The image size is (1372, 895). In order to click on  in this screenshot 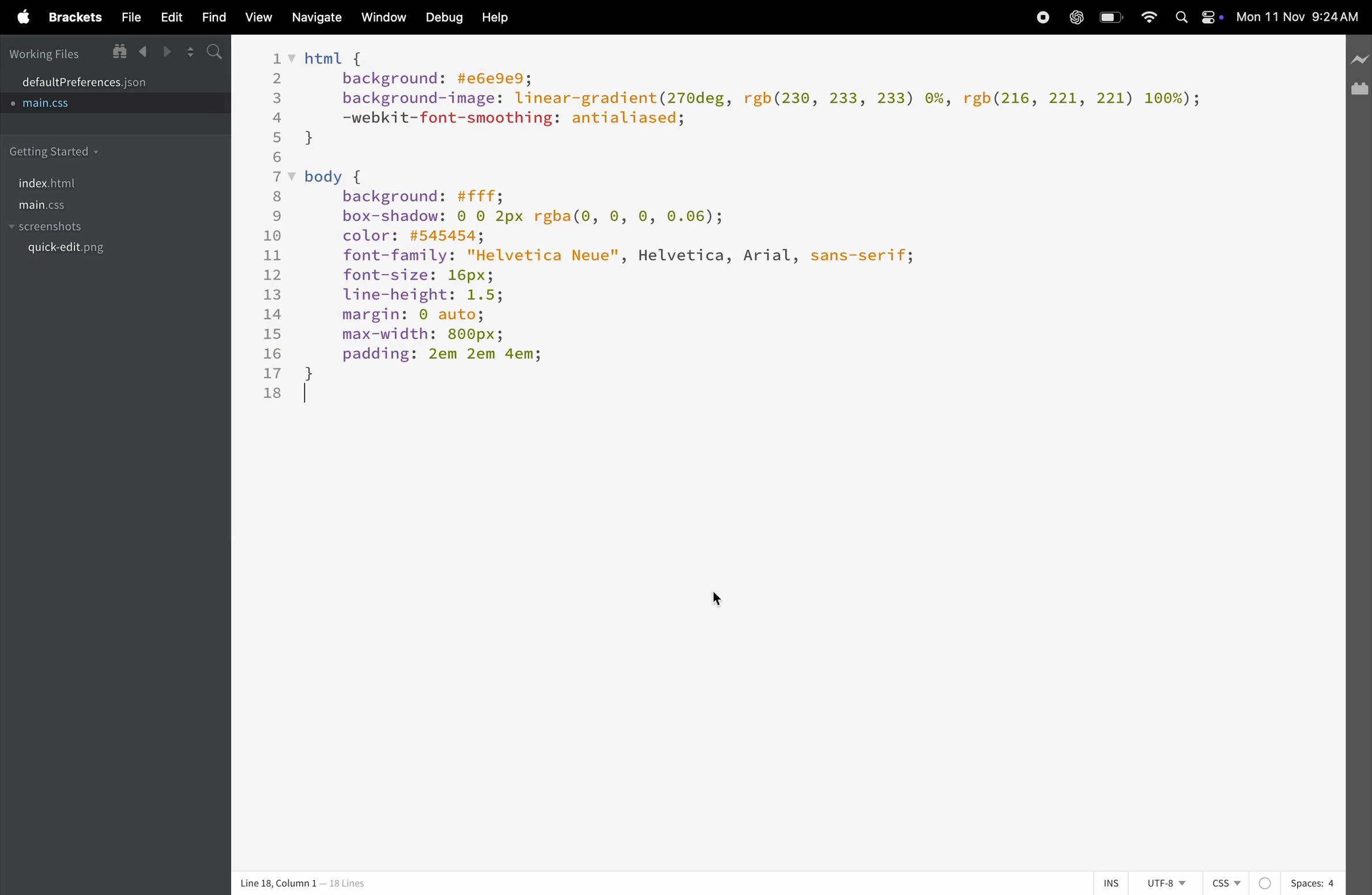, I will do `click(1113, 17)`.